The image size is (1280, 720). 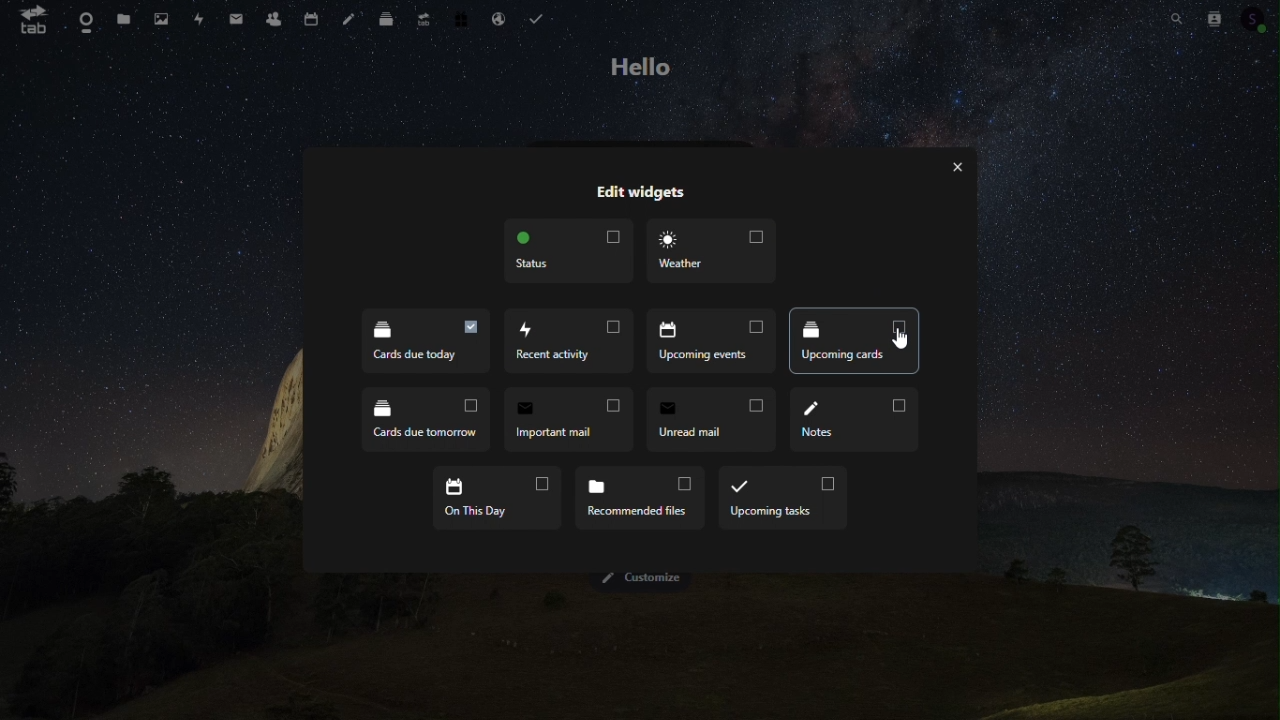 I want to click on Important mail, so click(x=565, y=419).